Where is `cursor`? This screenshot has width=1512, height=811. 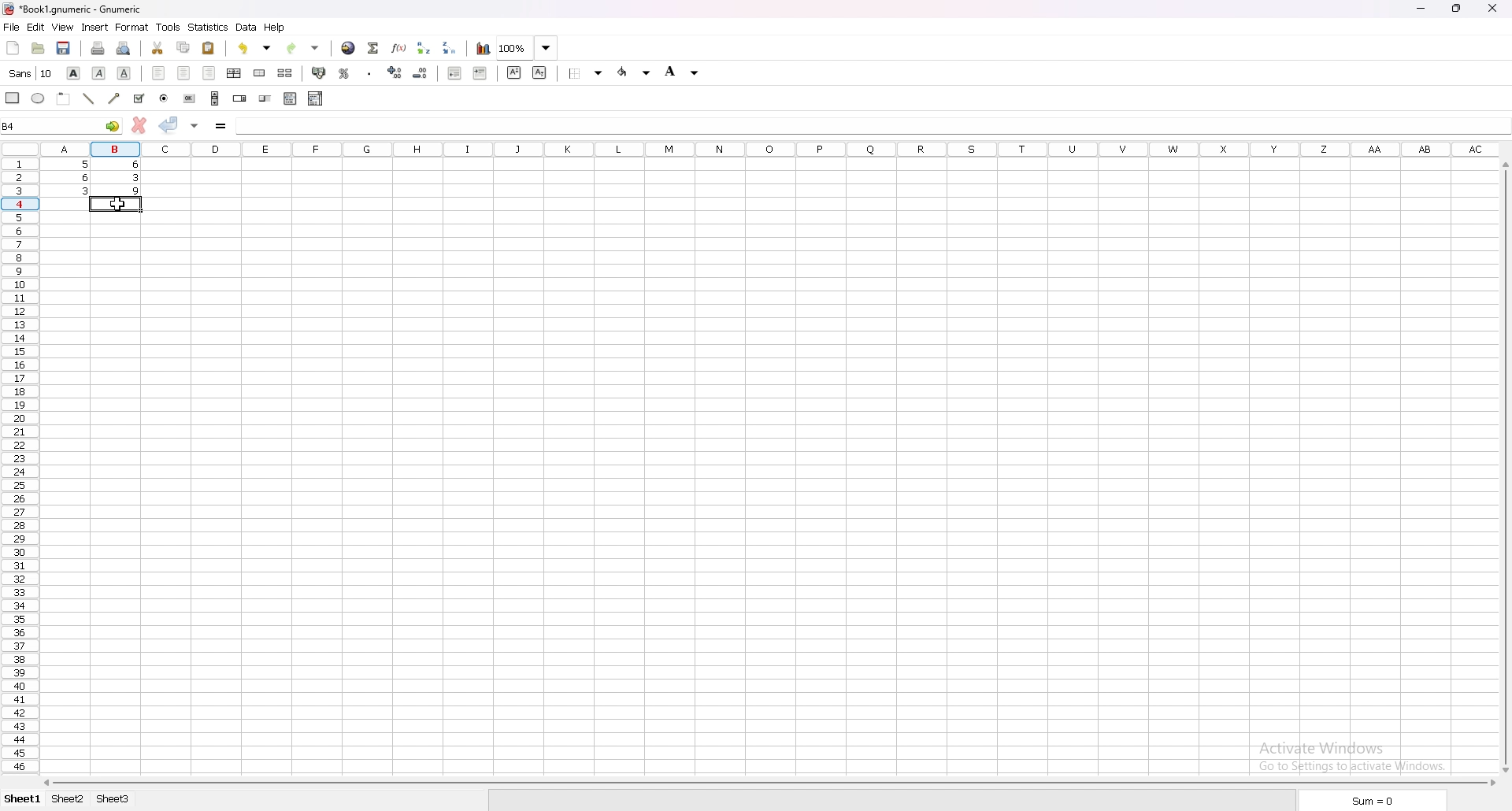 cursor is located at coordinates (119, 205).